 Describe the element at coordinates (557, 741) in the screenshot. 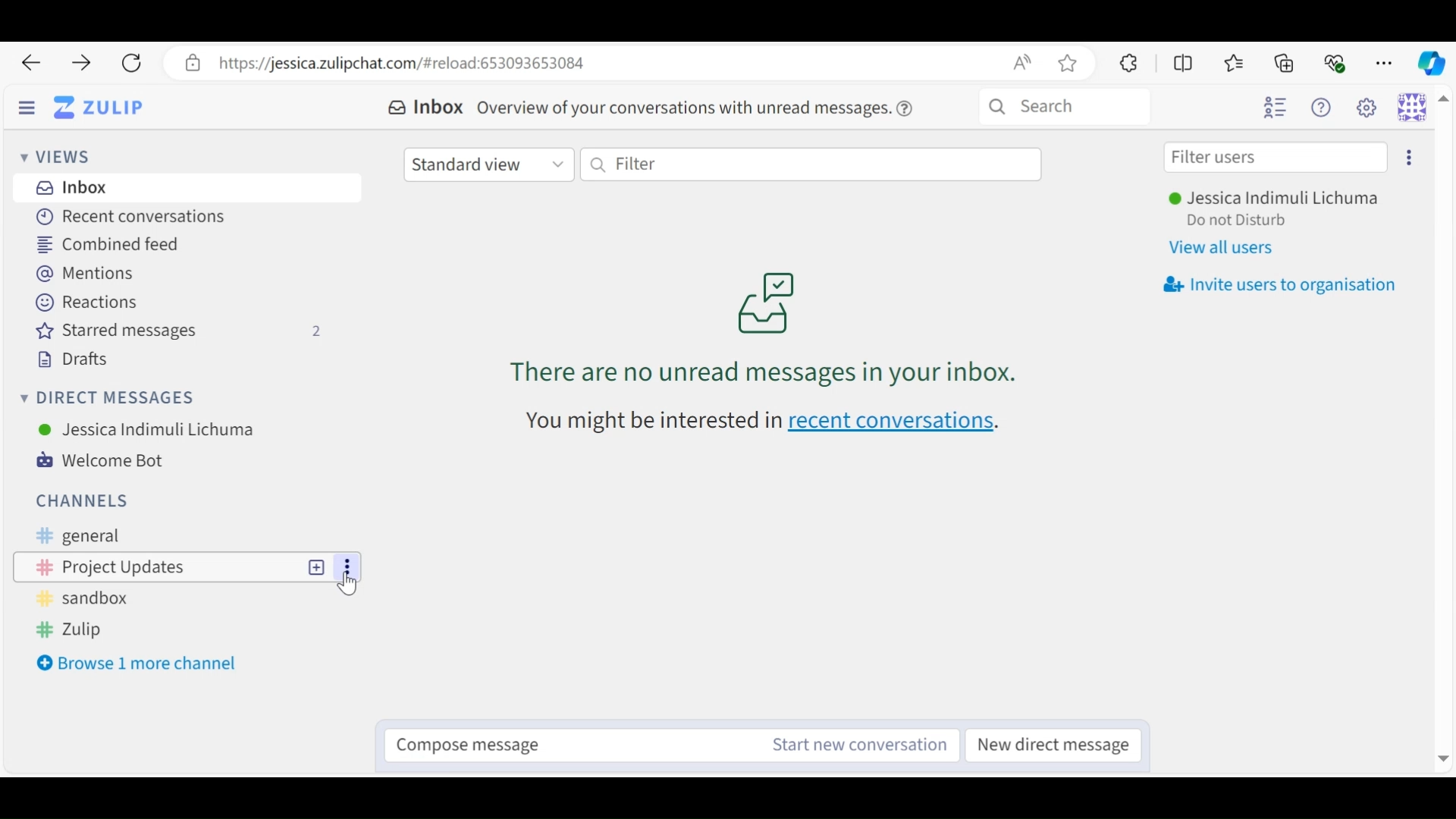

I see `Compose message` at that location.